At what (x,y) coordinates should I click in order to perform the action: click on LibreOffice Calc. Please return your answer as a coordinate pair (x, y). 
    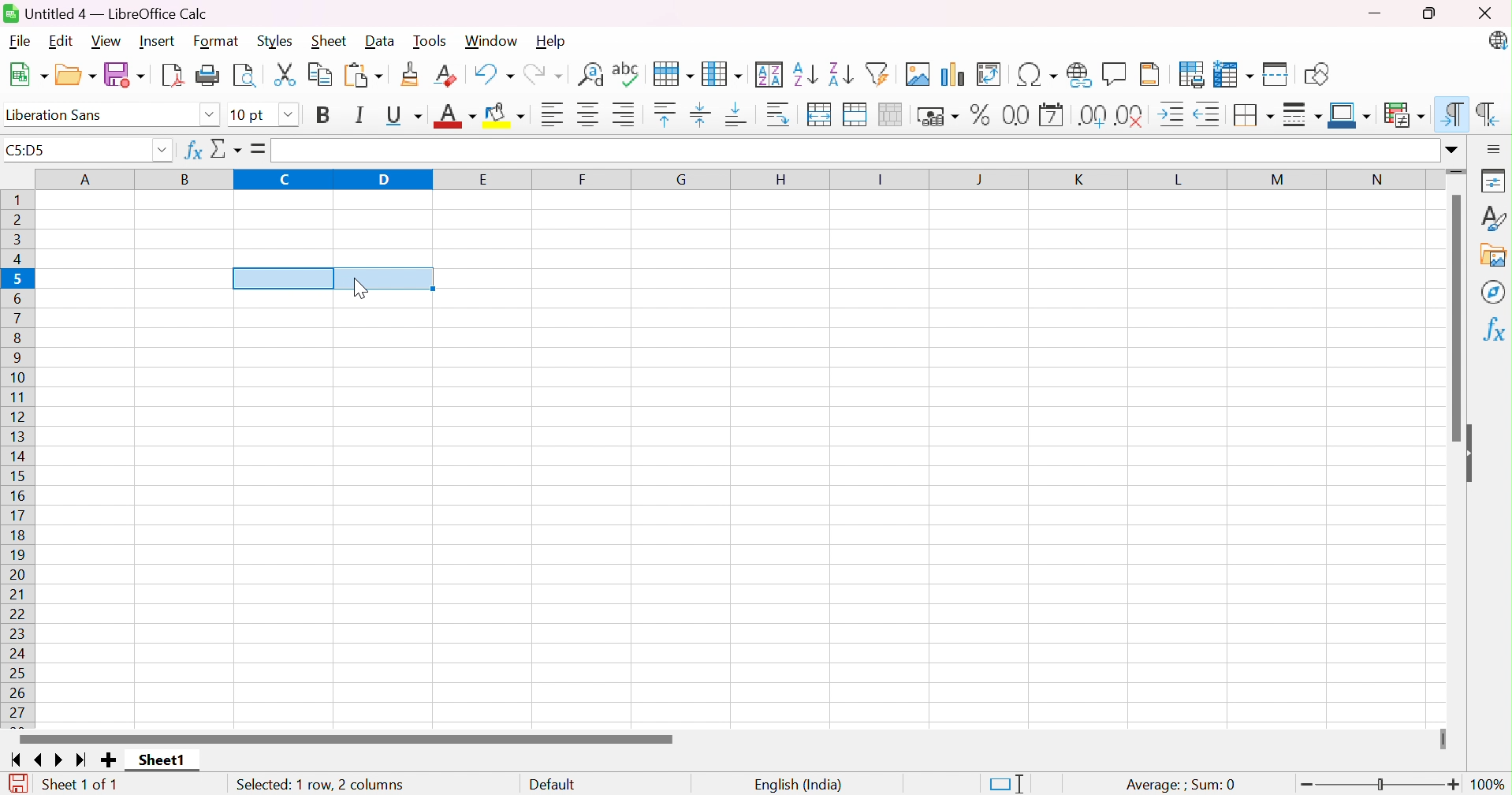
    Looking at the image, I should click on (1497, 42).